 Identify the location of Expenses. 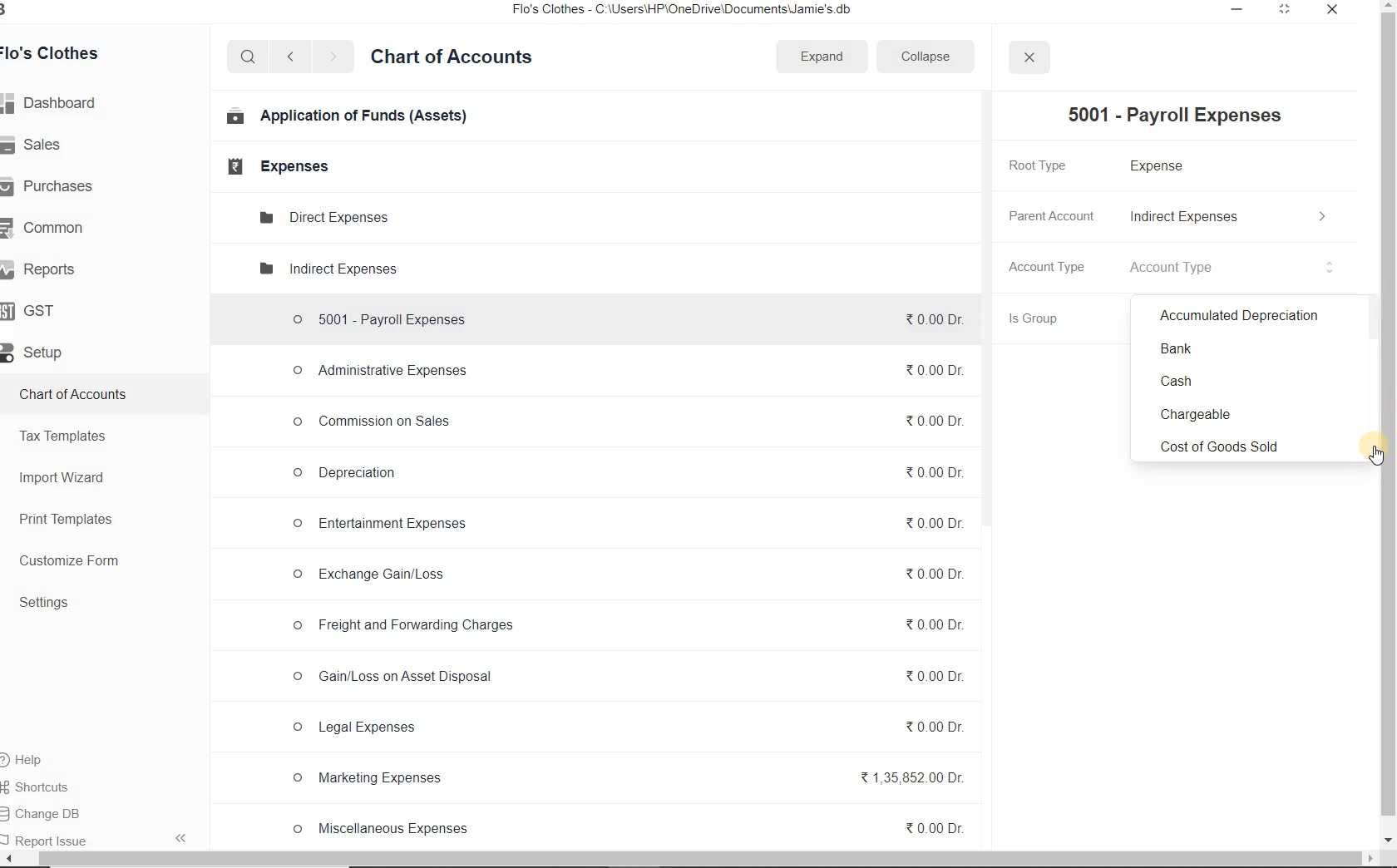
(276, 167).